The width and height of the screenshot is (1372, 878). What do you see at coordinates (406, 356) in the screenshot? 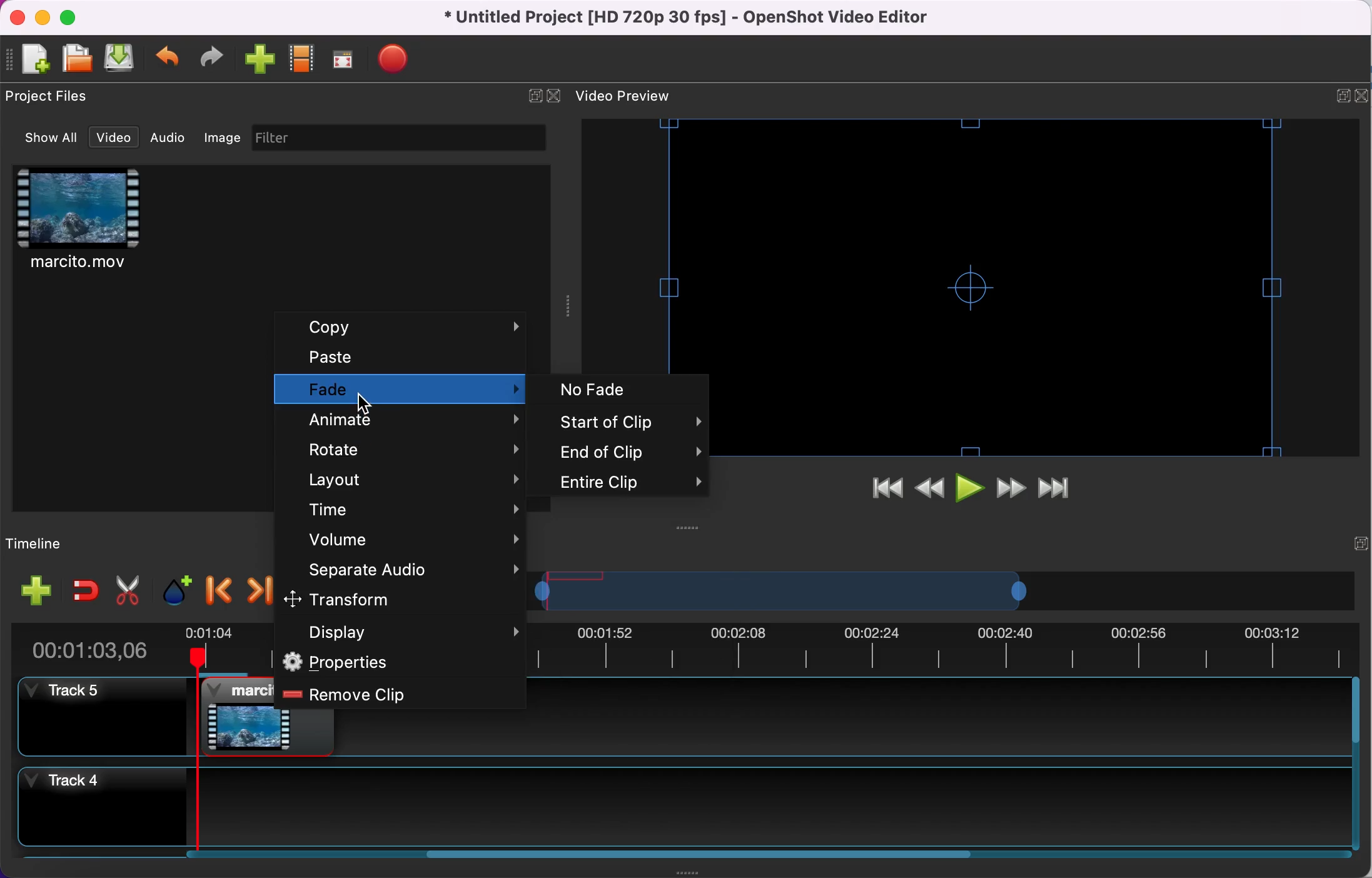
I see `paste` at bounding box center [406, 356].